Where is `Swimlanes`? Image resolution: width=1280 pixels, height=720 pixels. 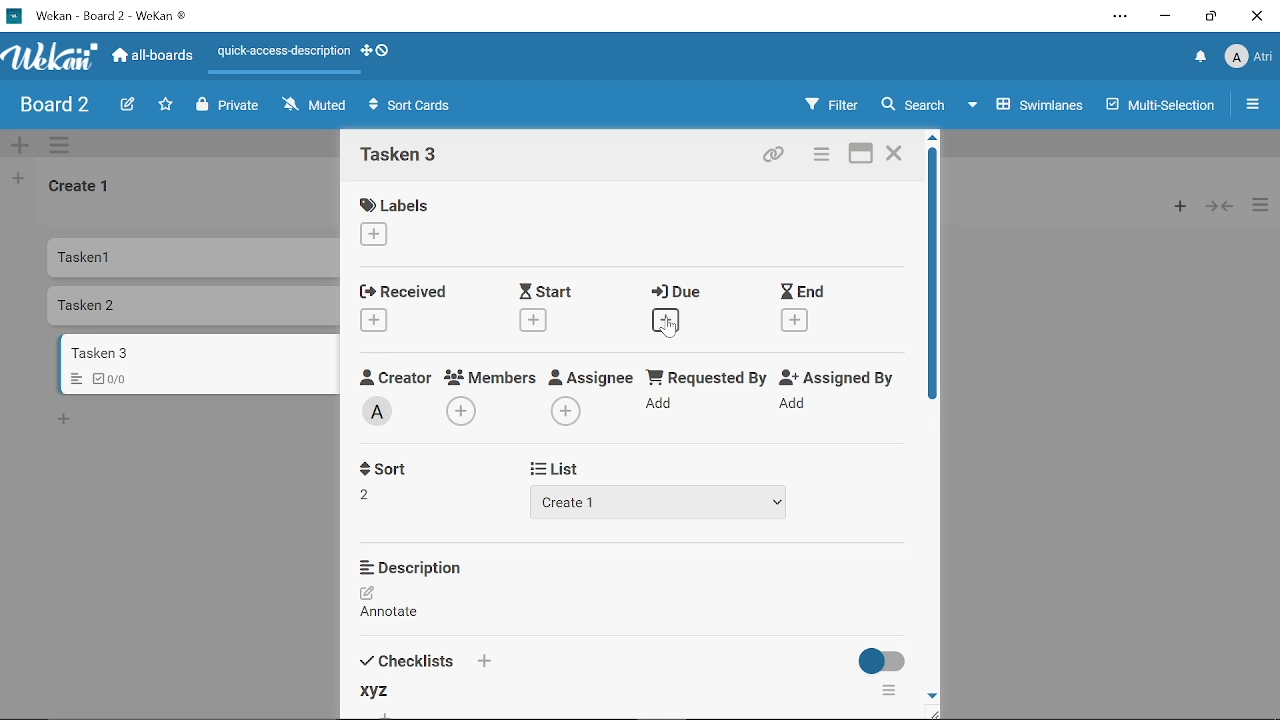 Swimlanes is located at coordinates (1027, 108).